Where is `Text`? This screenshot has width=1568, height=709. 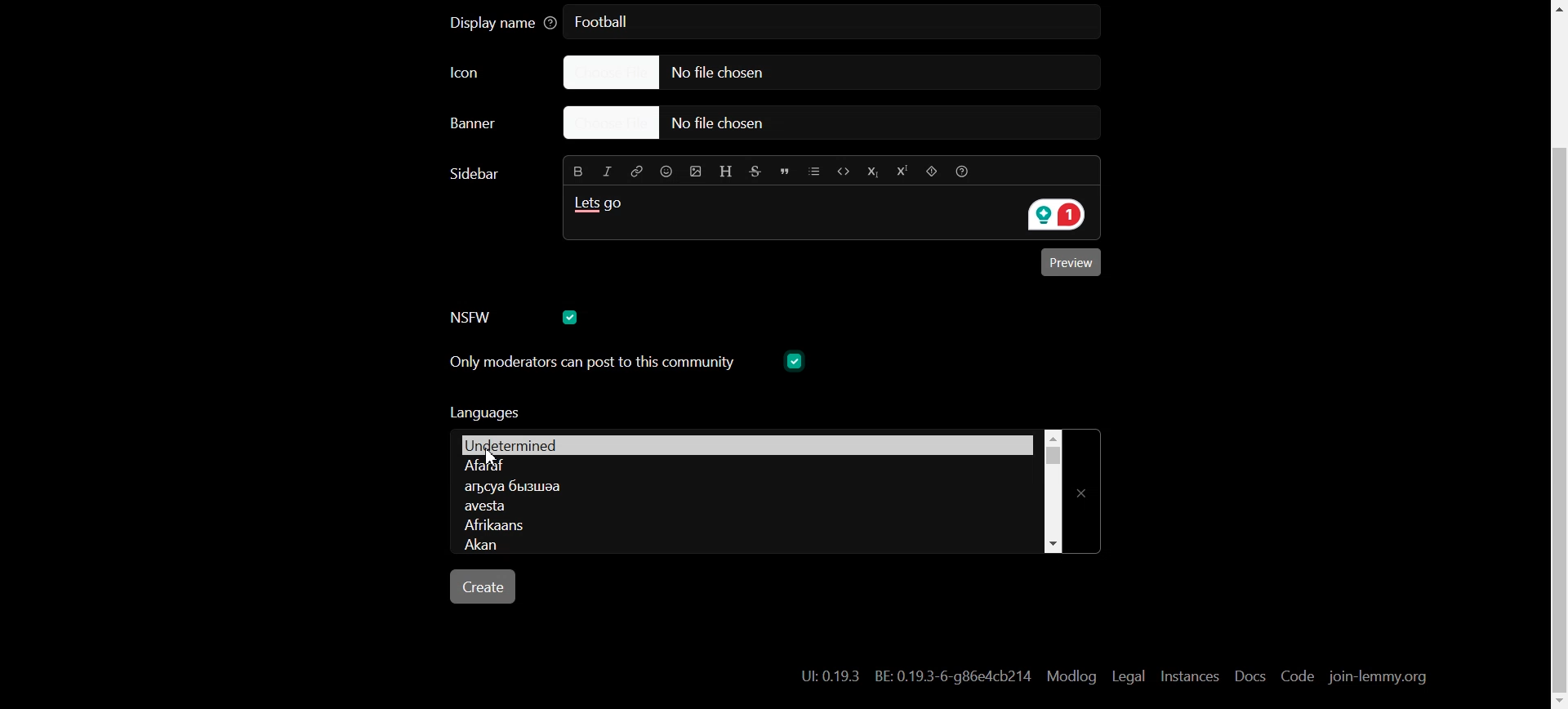
Text is located at coordinates (604, 208).